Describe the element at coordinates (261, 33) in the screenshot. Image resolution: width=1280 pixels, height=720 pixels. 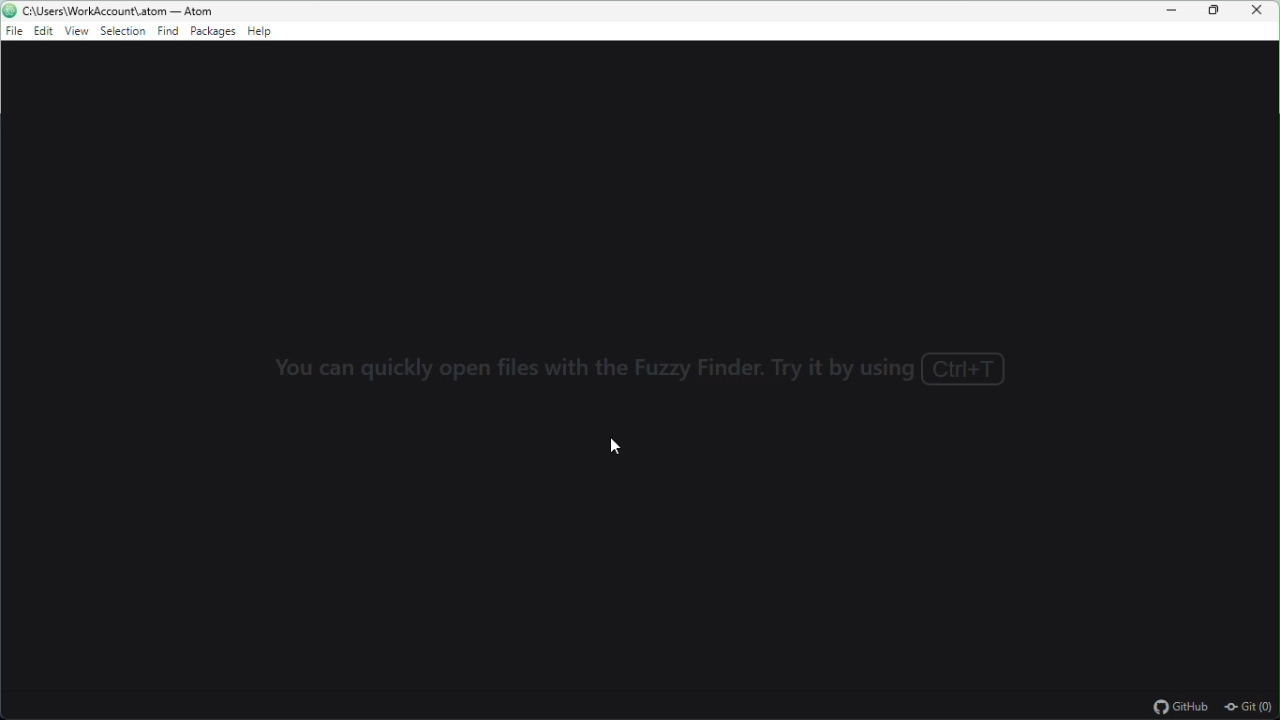
I see `help` at that location.